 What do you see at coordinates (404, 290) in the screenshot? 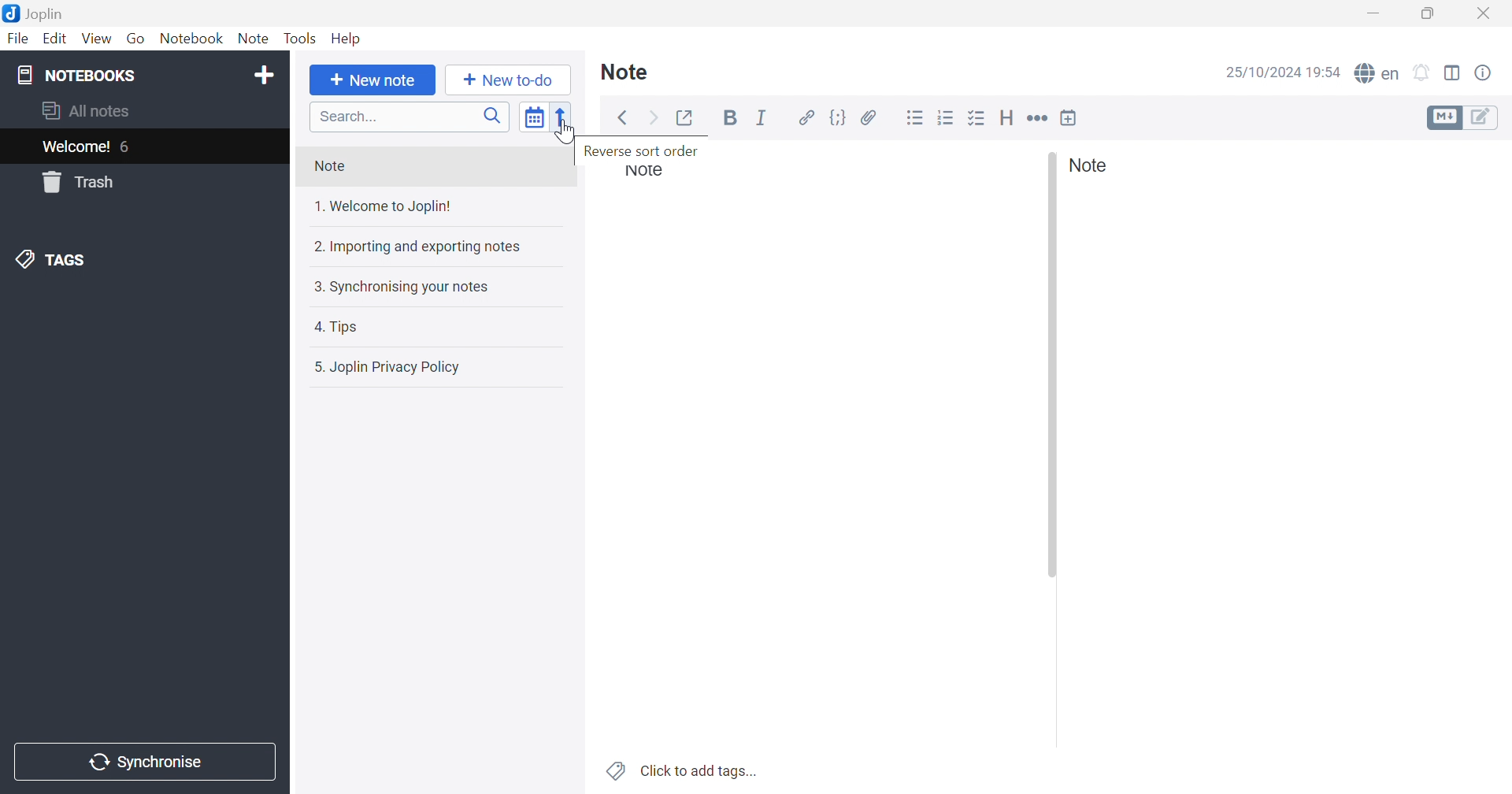
I see `3. Synchronising your notes` at bounding box center [404, 290].